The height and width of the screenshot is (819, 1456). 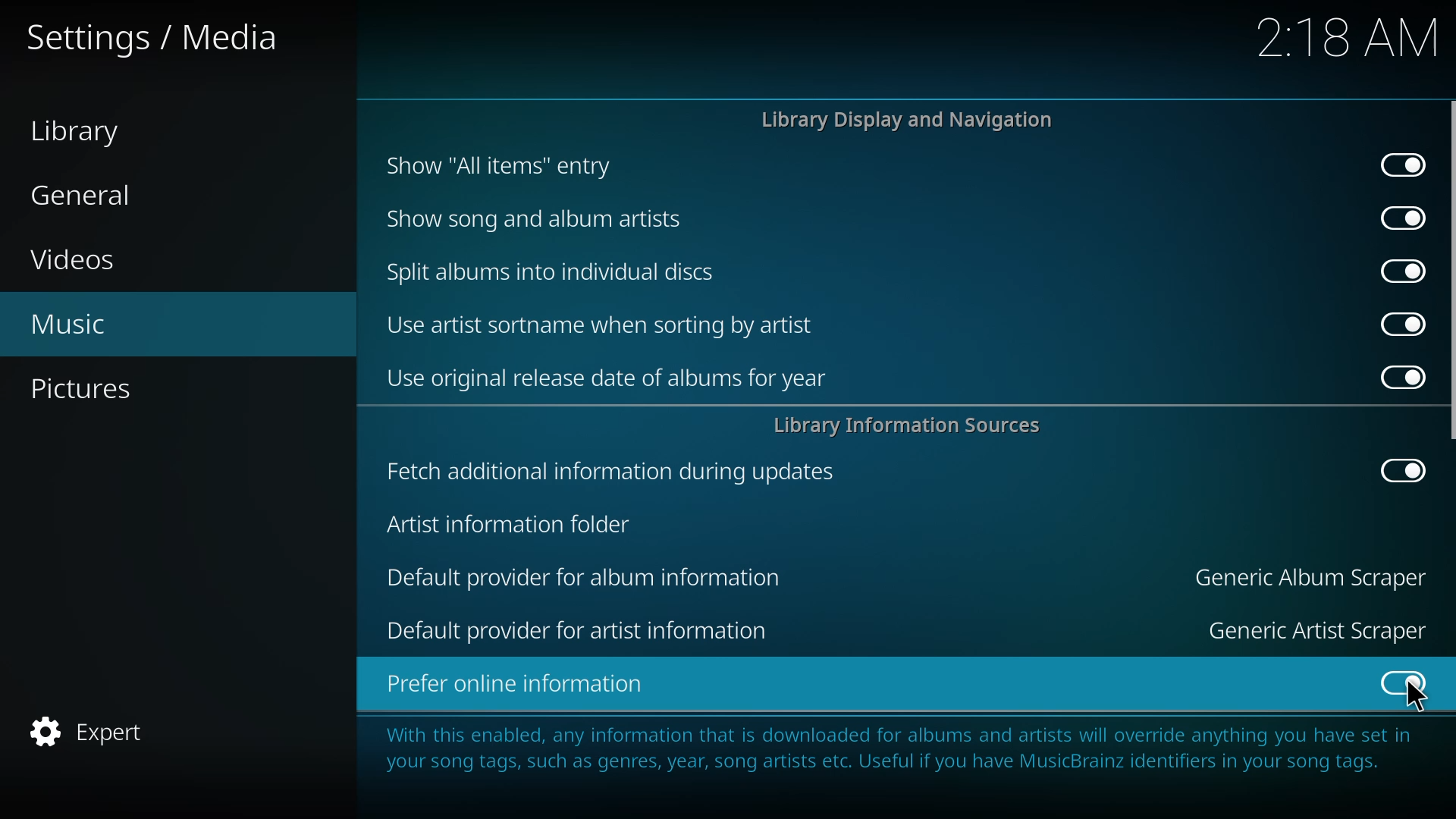 I want to click on split albums into discs, so click(x=548, y=270).